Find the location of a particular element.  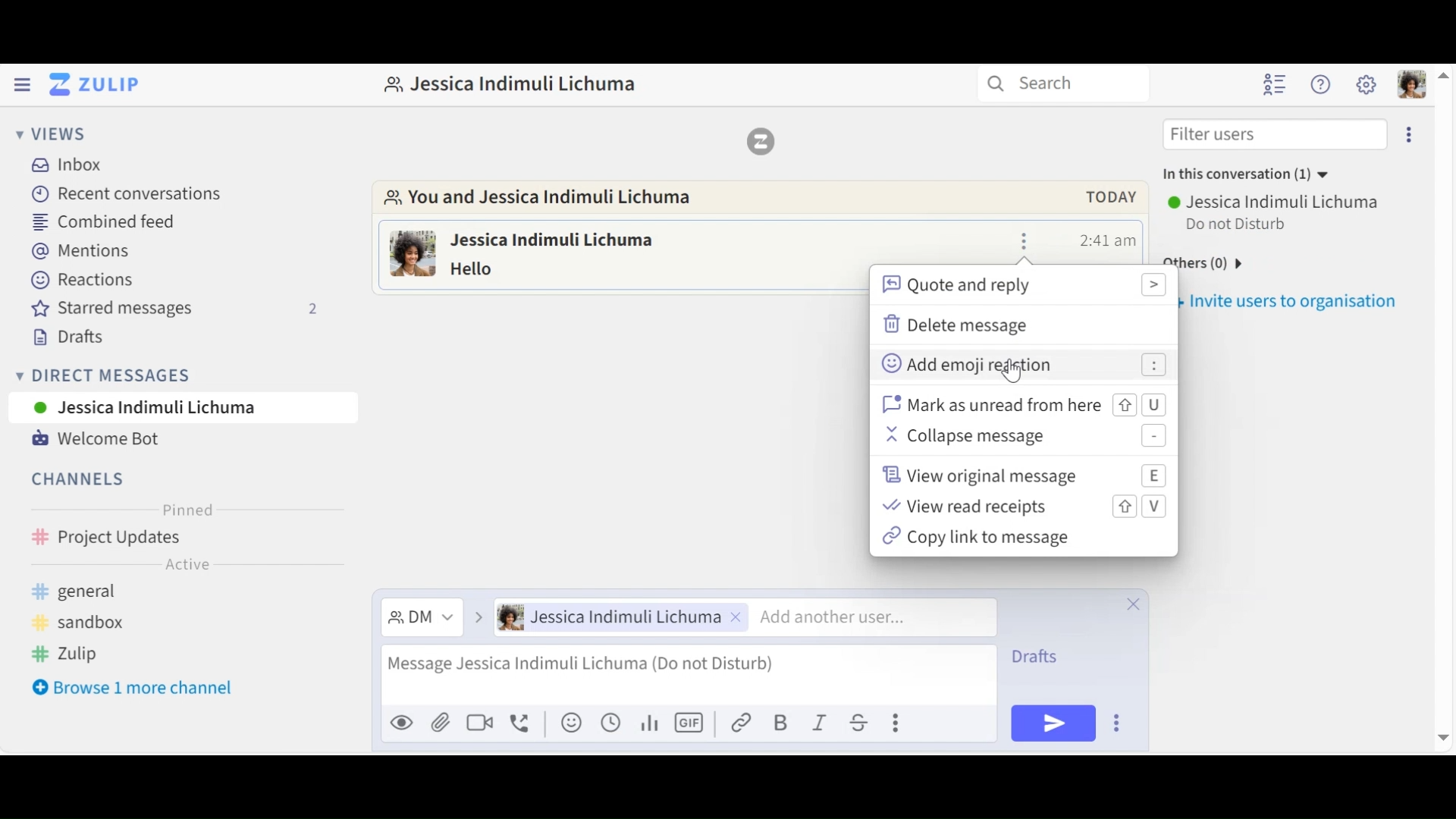

user profile is located at coordinates (413, 256).